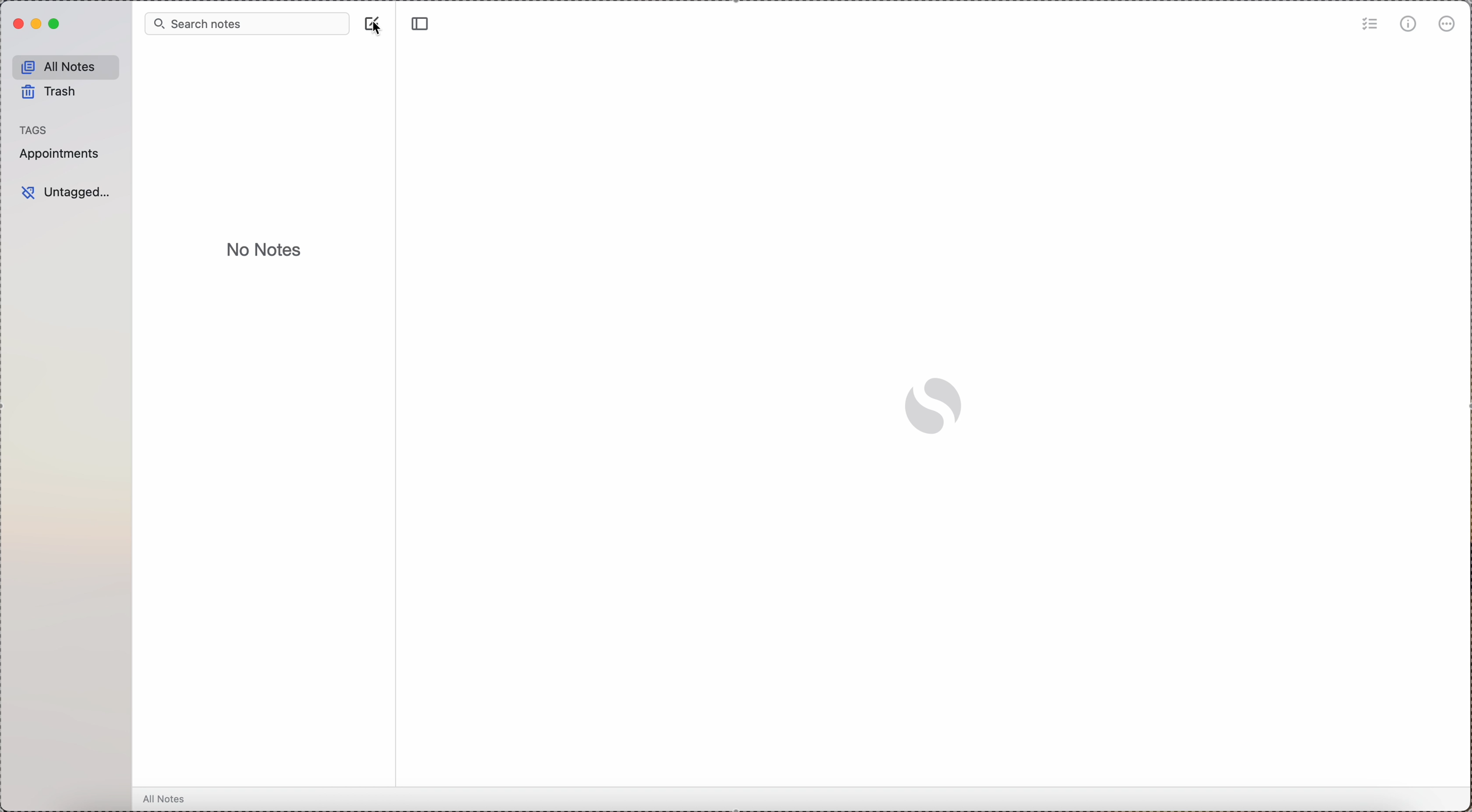 This screenshot has height=812, width=1472. What do you see at coordinates (59, 154) in the screenshot?
I see `appointments` at bounding box center [59, 154].